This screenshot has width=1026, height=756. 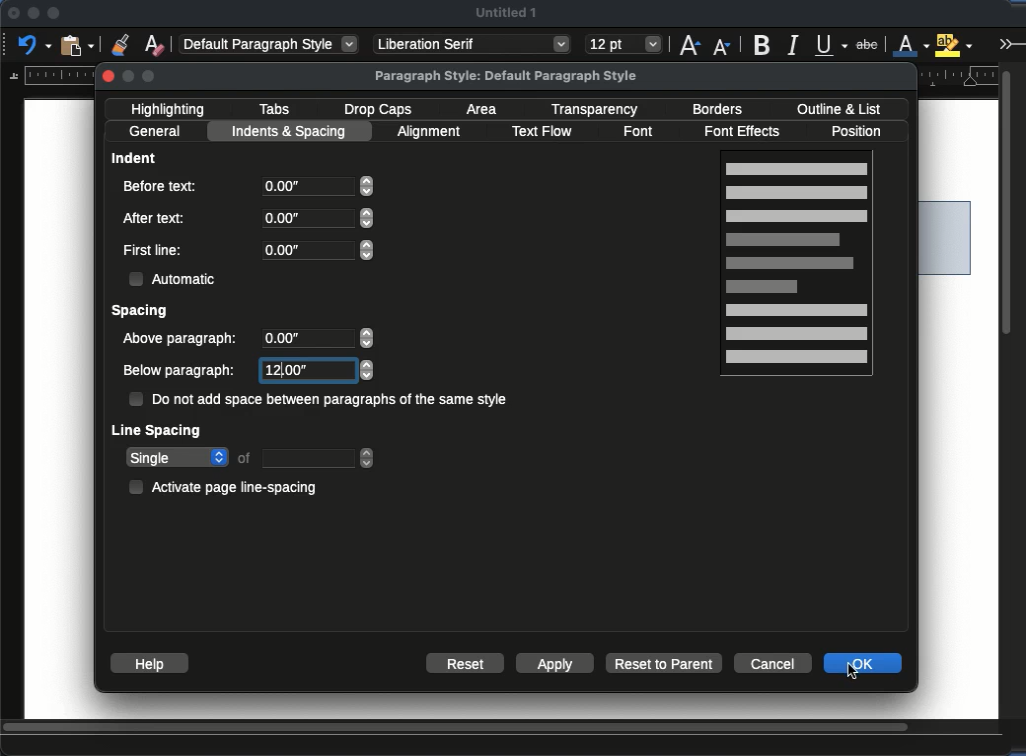 I want to click on italic, so click(x=792, y=46).